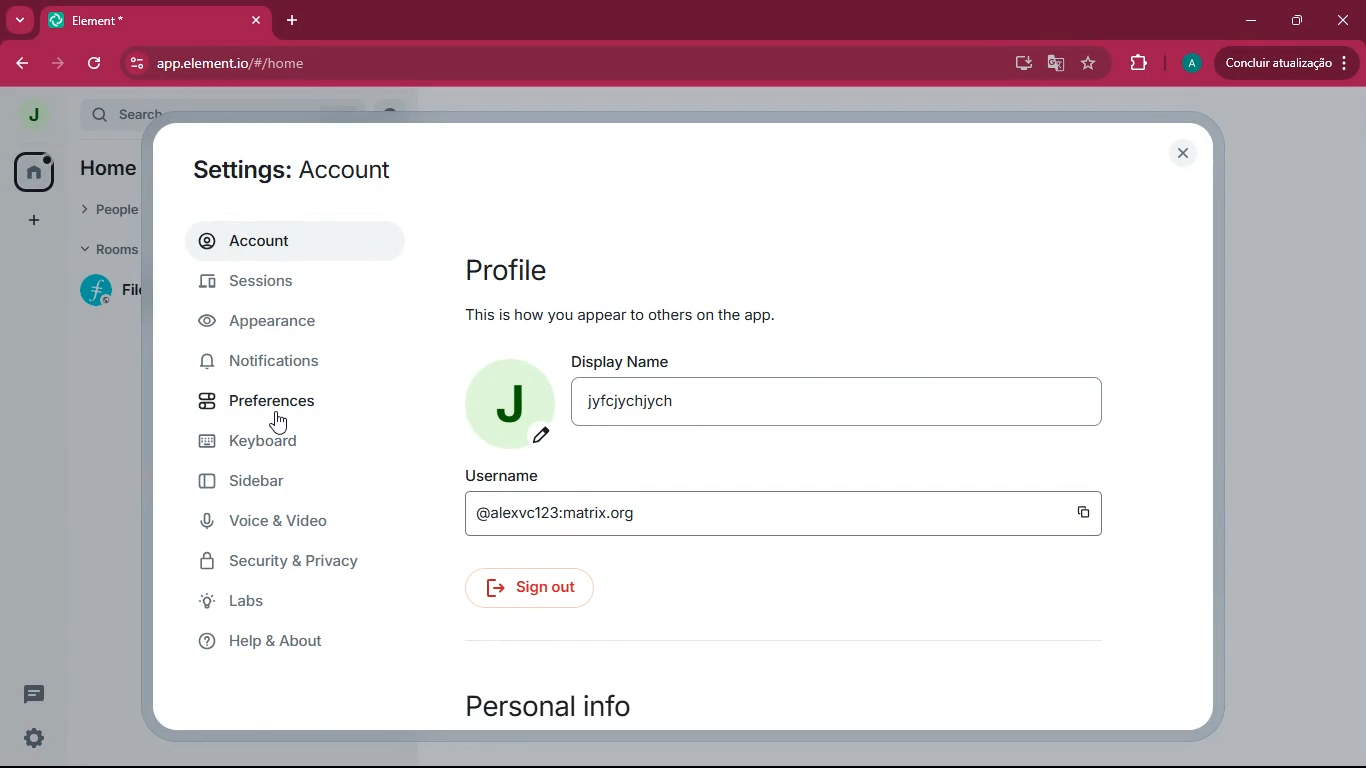 This screenshot has width=1366, height=768. What do you see at coordinates (1284, 63) in the screenshot?
I see `Conduir atualizacado` at bounding box center [1284, 63].